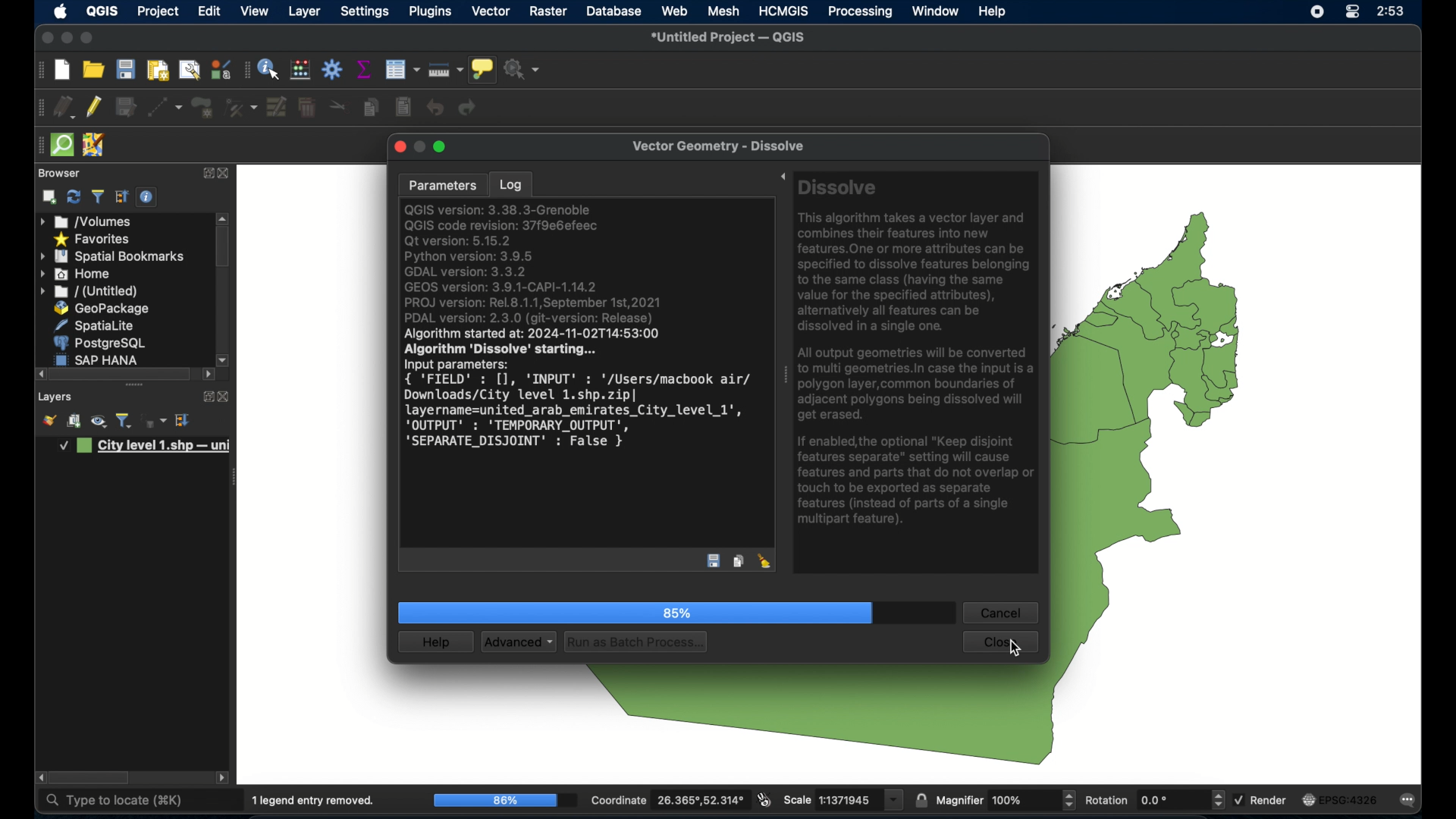  I want to click on save edits, so click(127, 108).